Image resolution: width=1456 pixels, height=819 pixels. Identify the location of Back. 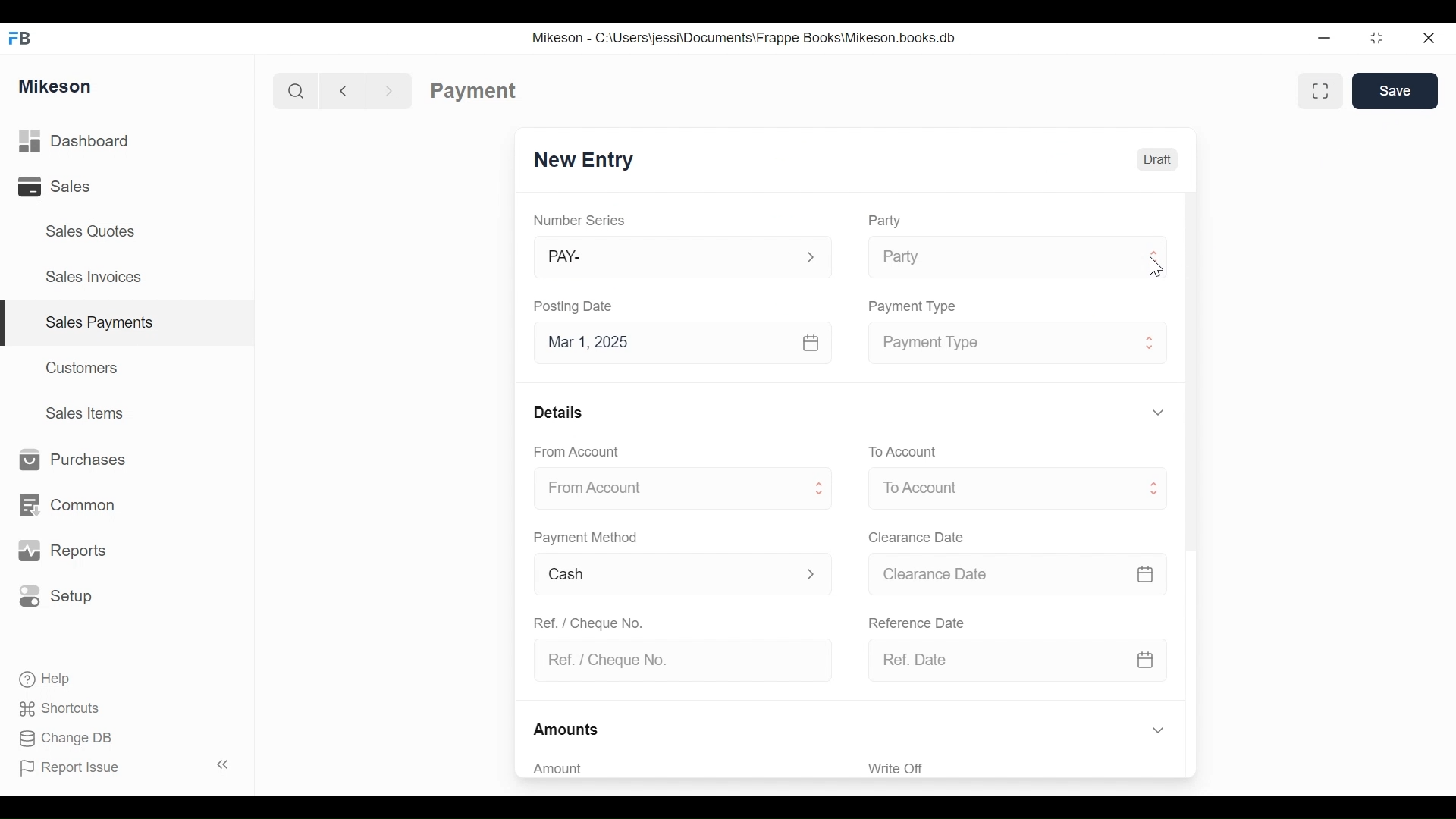
(350, 89).